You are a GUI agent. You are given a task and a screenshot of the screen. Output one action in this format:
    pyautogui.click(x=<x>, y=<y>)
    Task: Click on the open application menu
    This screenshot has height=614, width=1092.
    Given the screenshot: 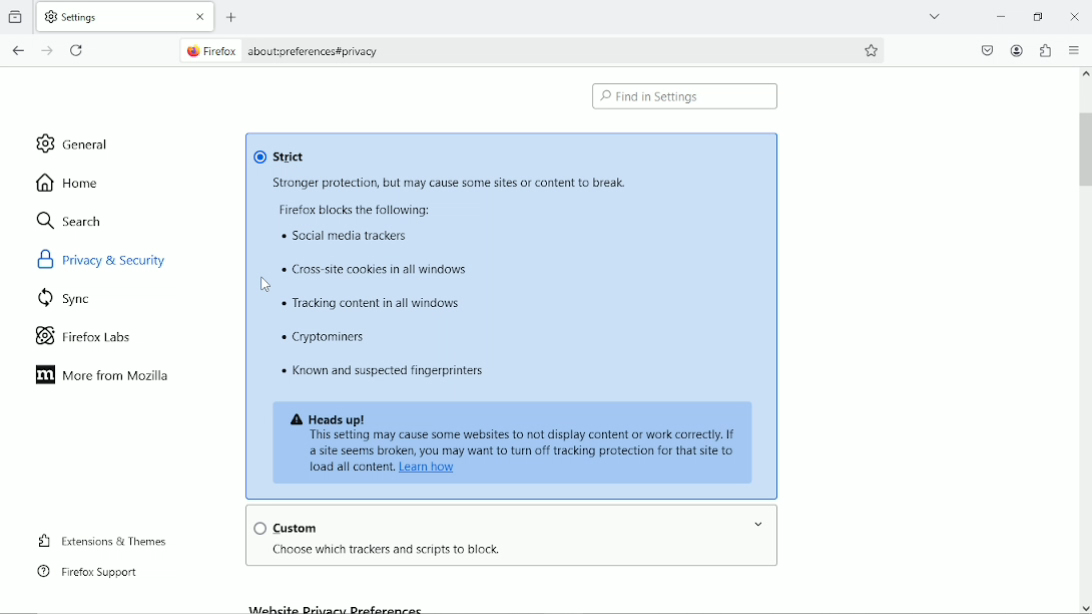 What is the action you would take?
    pyautogui.click(x=1077, y=51)
    